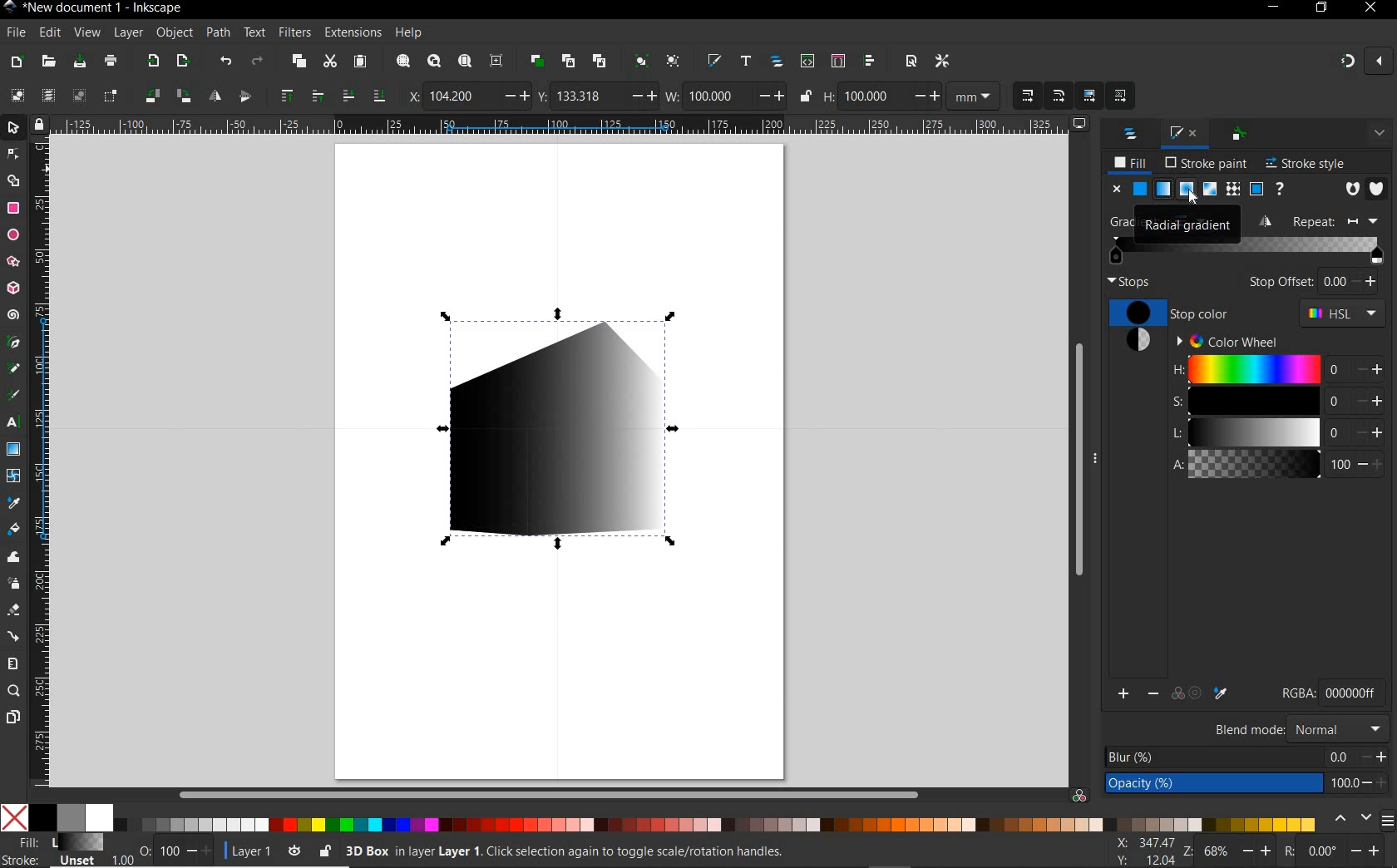  Describe the element at coordinates (294, 31) in the screenshot. I see `FILTERS` at that location.